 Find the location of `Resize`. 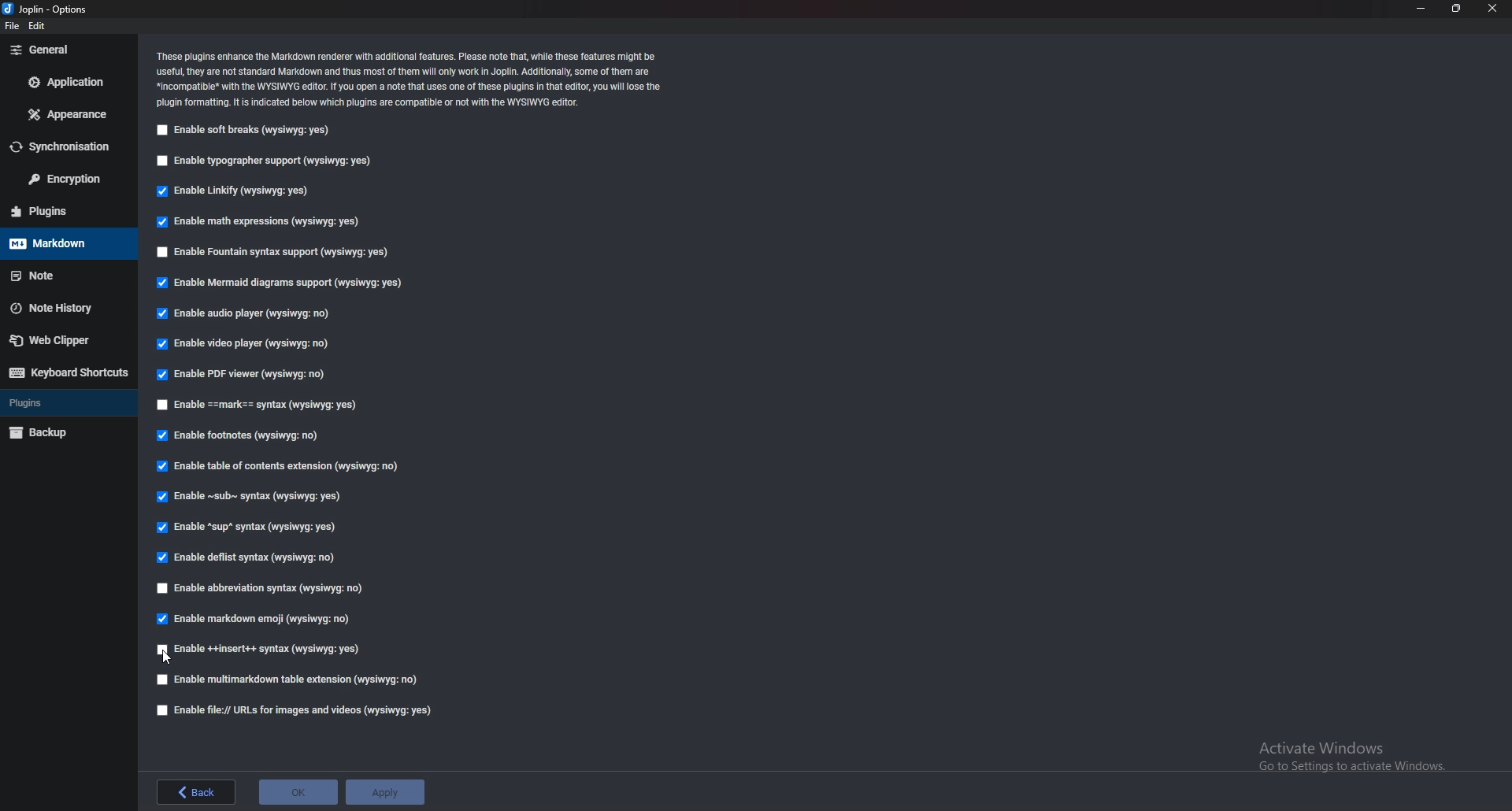

Resize is located at coordinates (1457, 9).